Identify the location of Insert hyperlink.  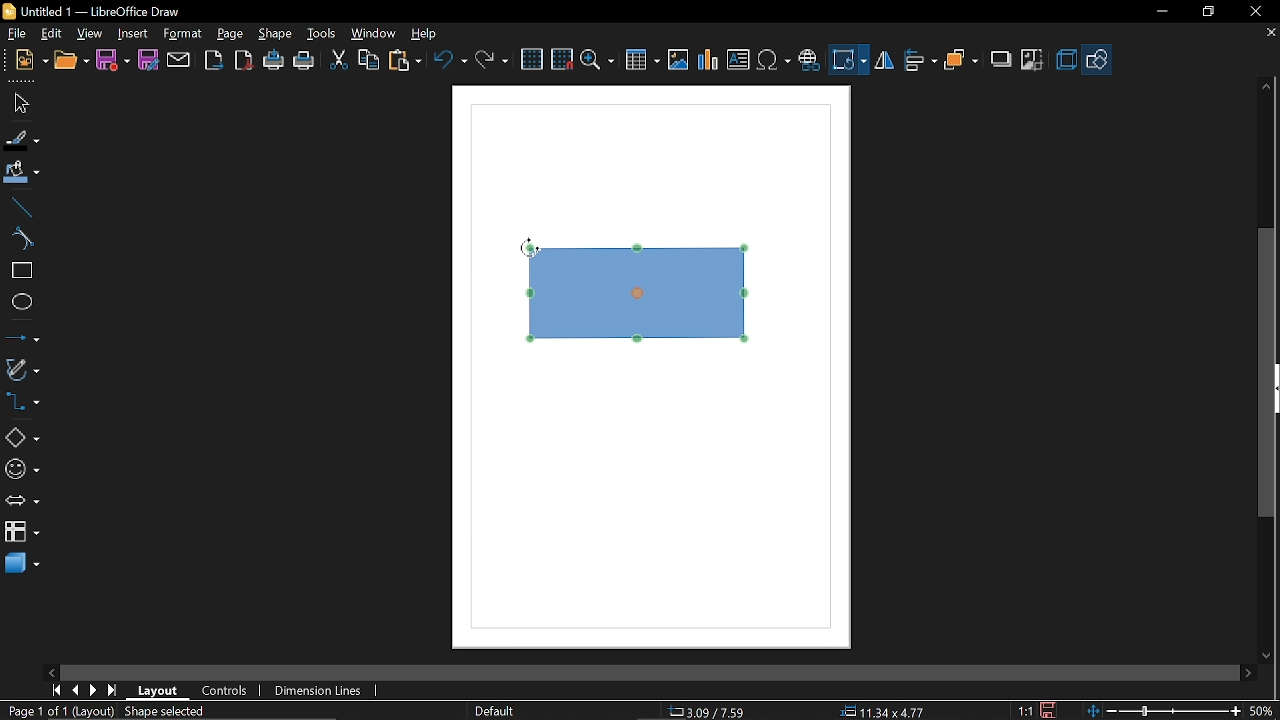
(810, 58).